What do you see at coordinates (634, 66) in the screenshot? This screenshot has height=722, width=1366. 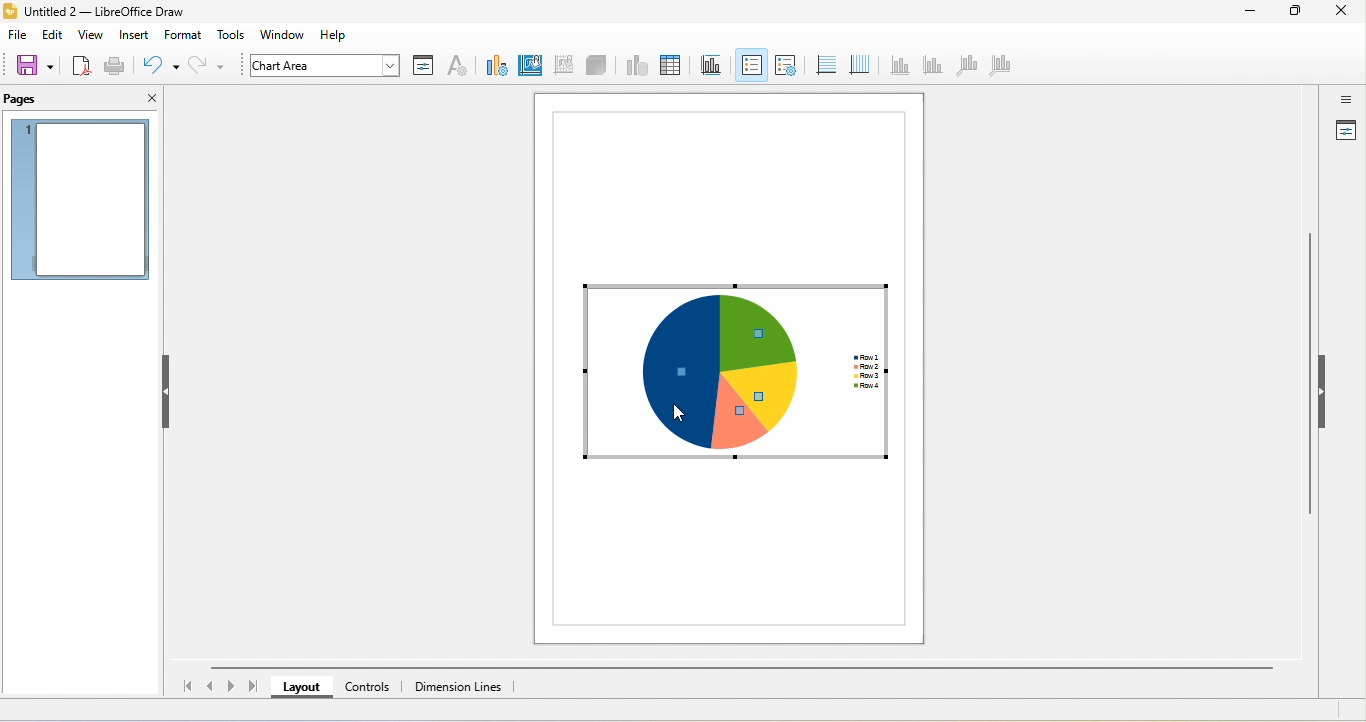 I see `data ranges` at bounding box center [634, 66].